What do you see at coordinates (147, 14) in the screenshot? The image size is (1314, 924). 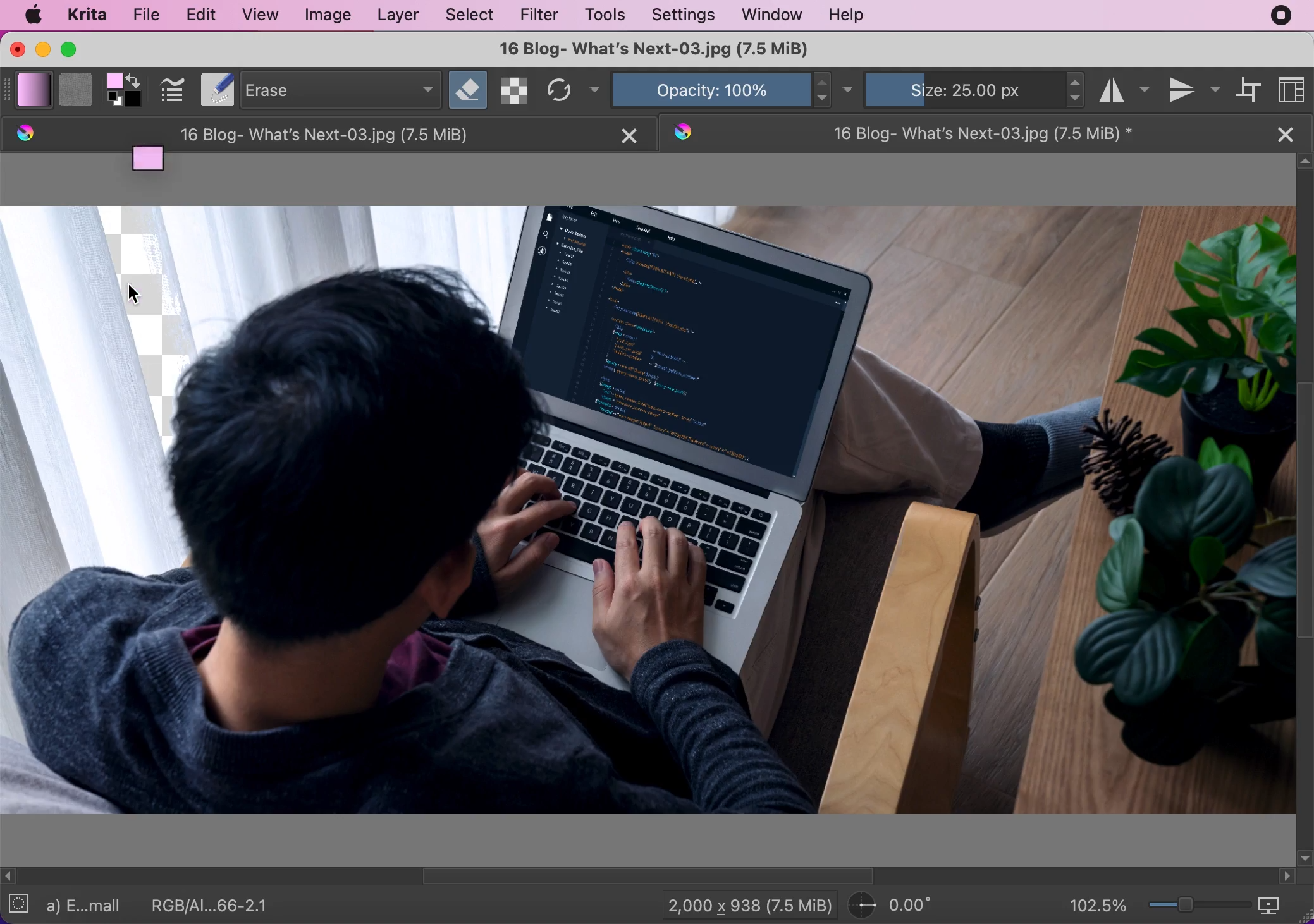 I see `file` at bounding box center [147, 14].